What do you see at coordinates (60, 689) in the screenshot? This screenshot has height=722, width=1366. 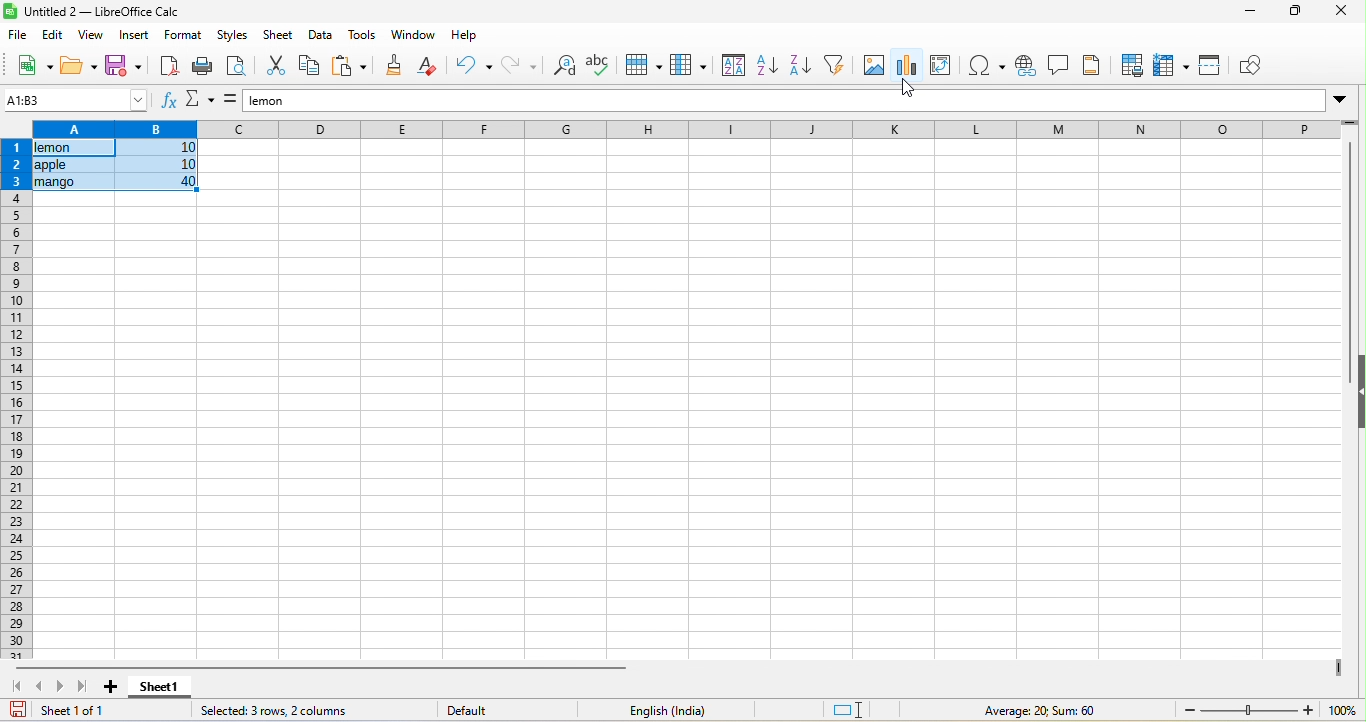 I see `scroll to next slheet` at bounding box center [60, 689].